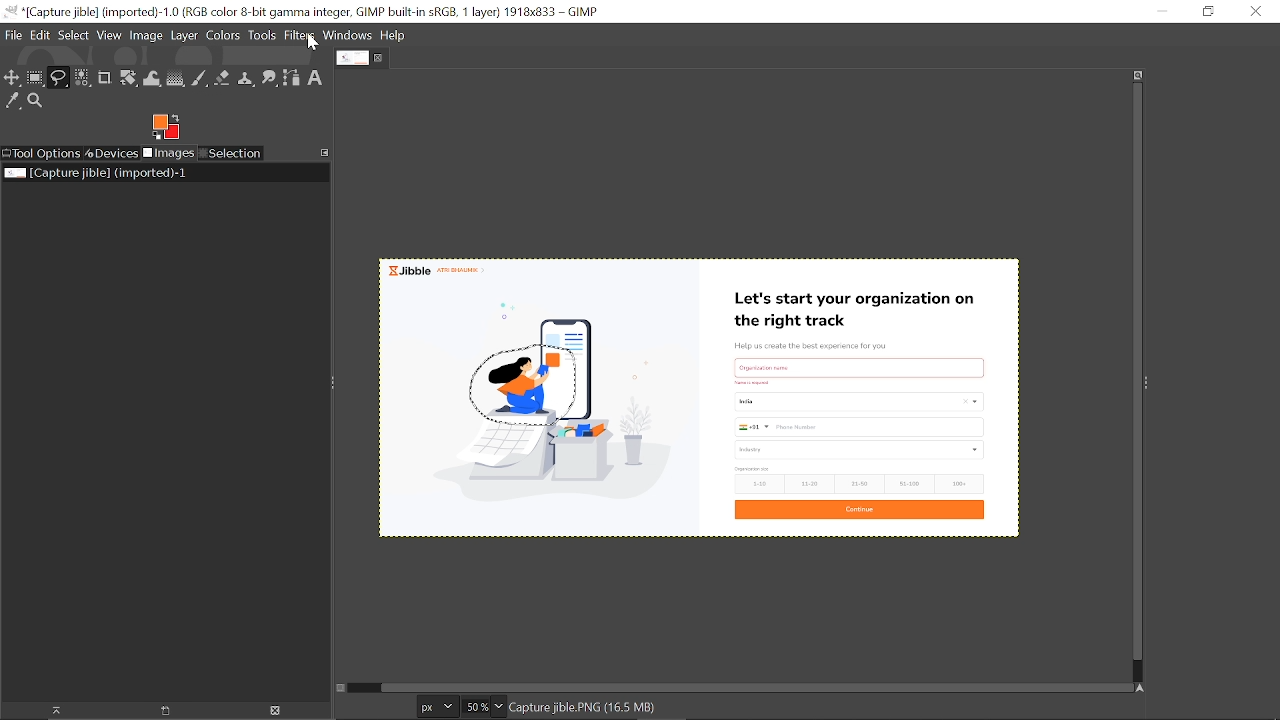  Describe the element at coordinates (339, 688) in the screenshot. I see `Toggle quick mask on/off` at that location.